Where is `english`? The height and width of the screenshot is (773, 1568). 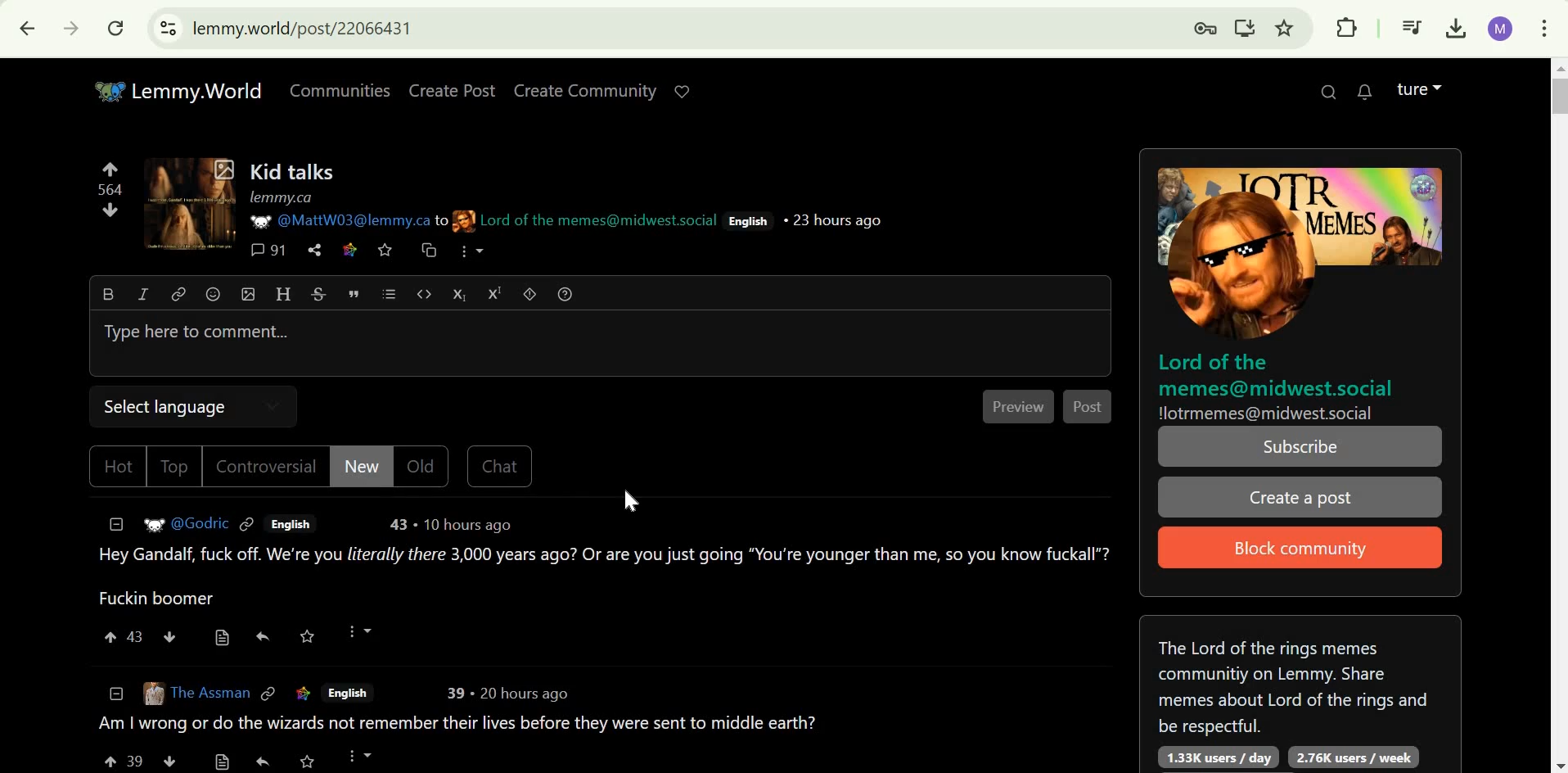 english is located at coordinates (289, 524).